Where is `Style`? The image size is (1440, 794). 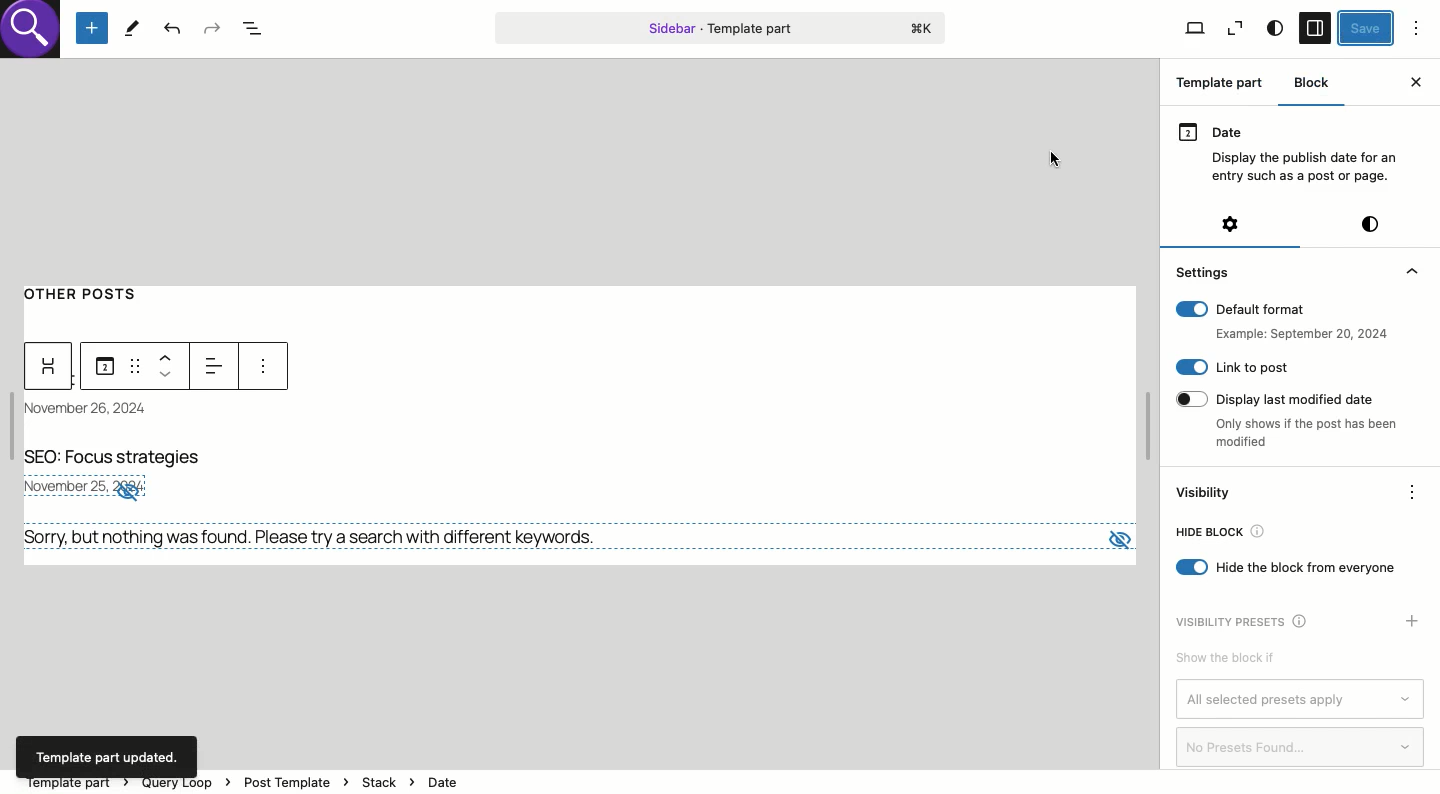 Style is located at coordinates (1370, 224).